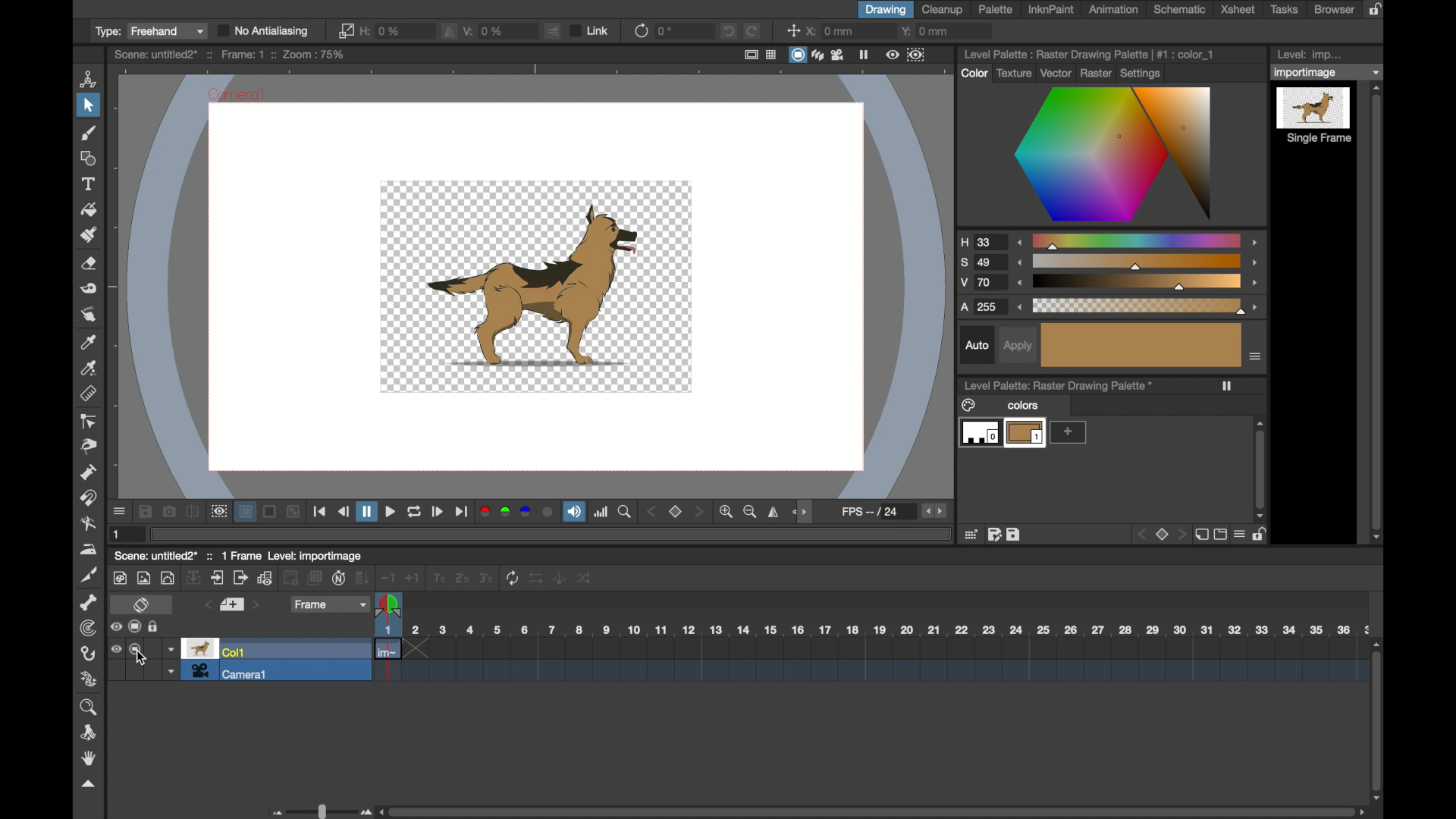 This screenshot has width=1456, height=819. What do you see at coordinates (218, 577) in the screenshot?
I see `move` at bounding box center [218, 577].